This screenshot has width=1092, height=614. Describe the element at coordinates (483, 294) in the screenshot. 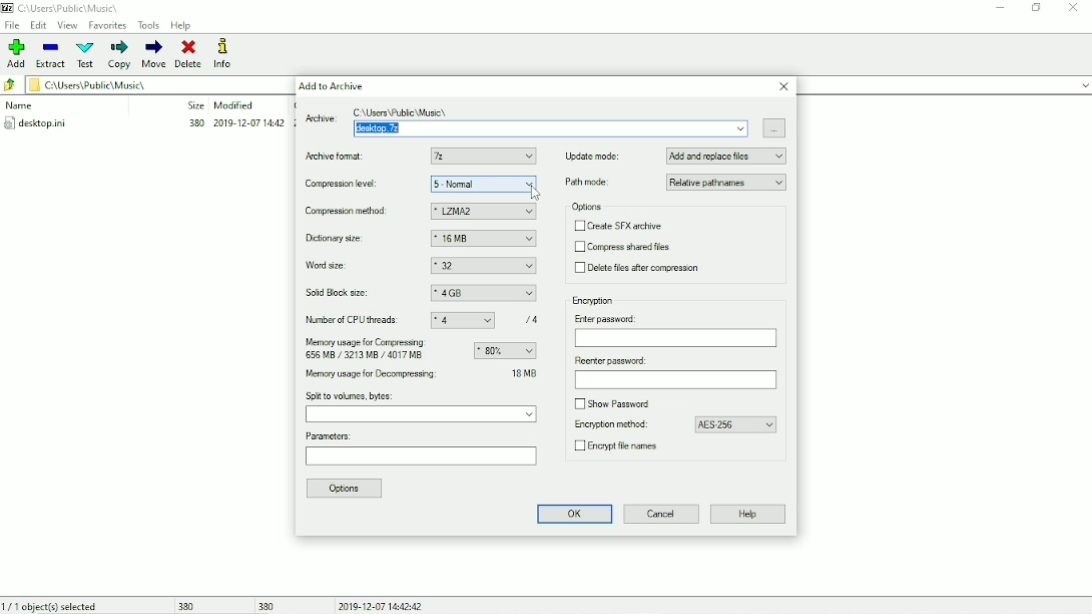

I see `4GB` at that location.